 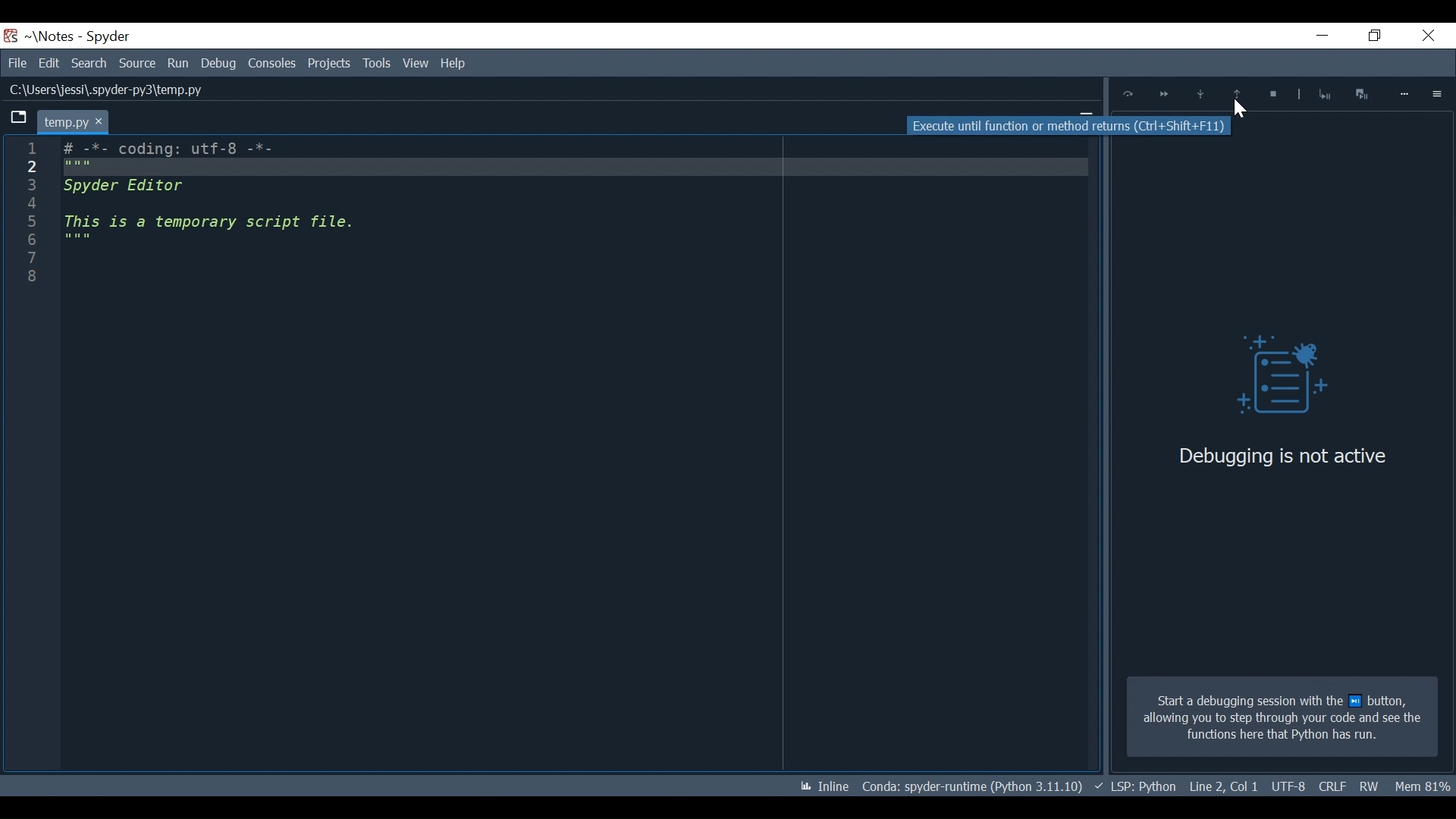 What do you see at coordinates (1134, 786) in the screenshot?
I see `Language` at bounding box center [1134, 786].